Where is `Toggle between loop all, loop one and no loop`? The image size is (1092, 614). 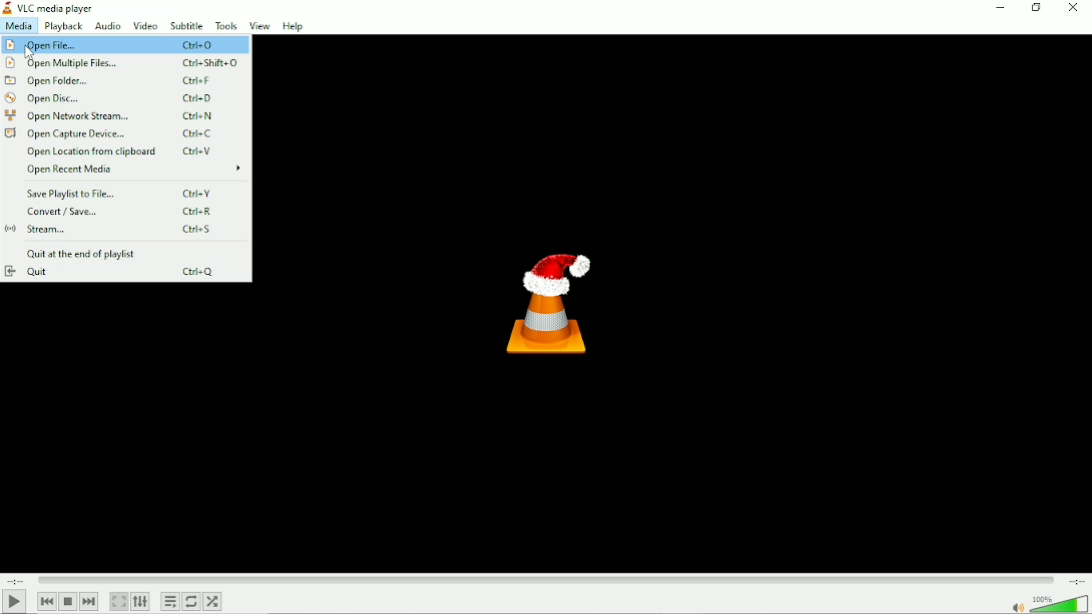 Toggle between loop all, loop one and no loop is located at coordinates (192, 602).